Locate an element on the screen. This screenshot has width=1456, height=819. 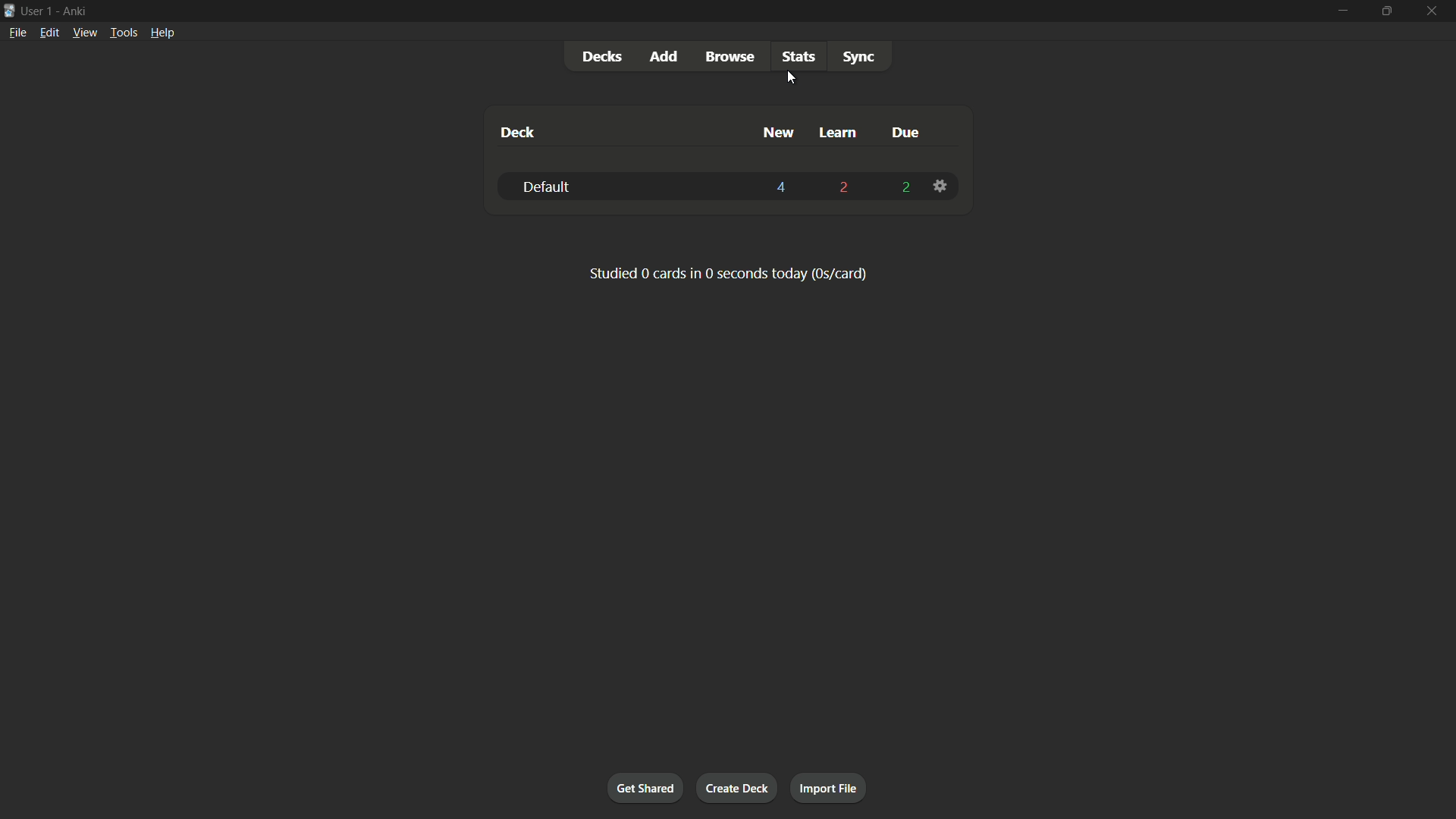
settings is located at coordinates (943, 186).